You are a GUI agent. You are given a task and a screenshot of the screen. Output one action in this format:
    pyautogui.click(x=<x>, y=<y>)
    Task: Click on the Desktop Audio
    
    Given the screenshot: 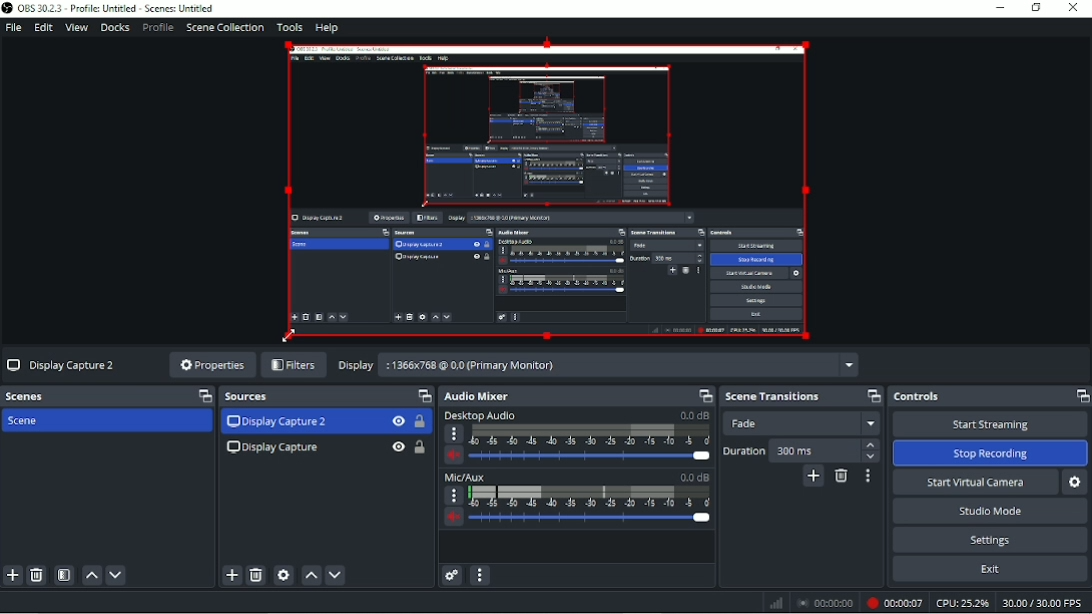 What is the action you would take?
    pyautogui.click(x=479, y=415)
    